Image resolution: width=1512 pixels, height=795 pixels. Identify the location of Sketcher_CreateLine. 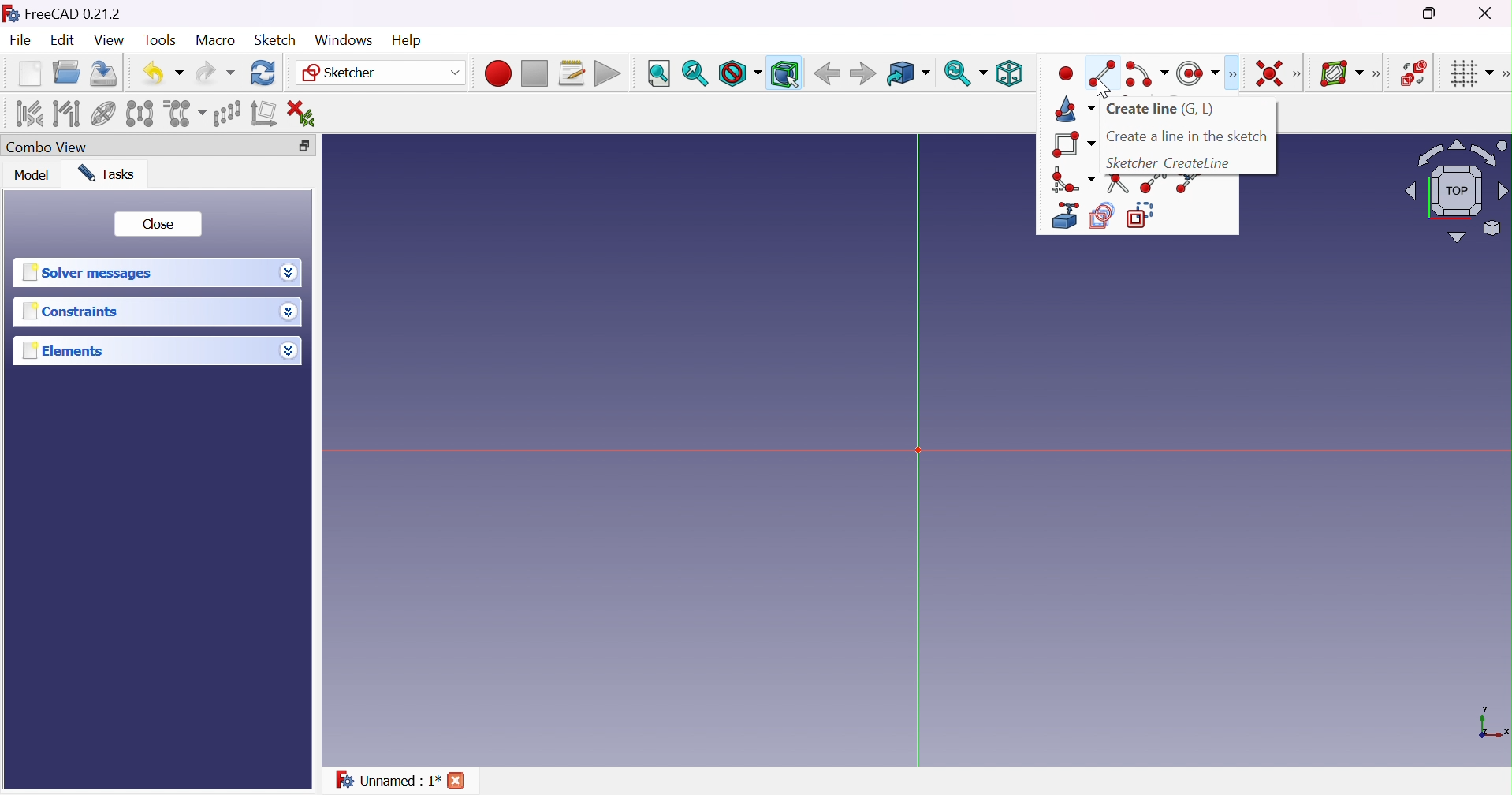
(1169, 162).